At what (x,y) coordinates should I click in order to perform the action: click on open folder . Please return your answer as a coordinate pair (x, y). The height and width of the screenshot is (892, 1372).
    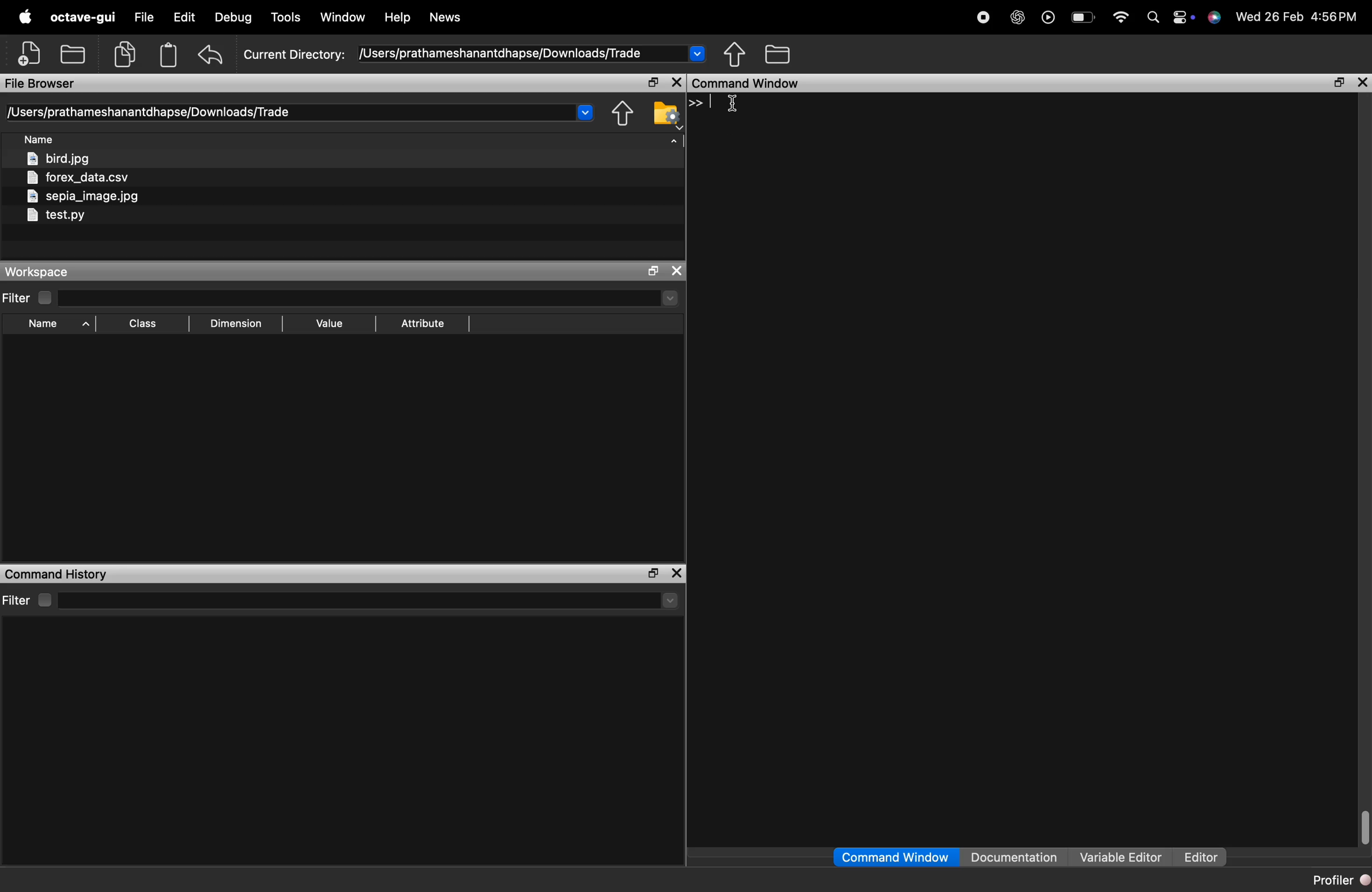
    Looking at the image, I should click on (73, 55).